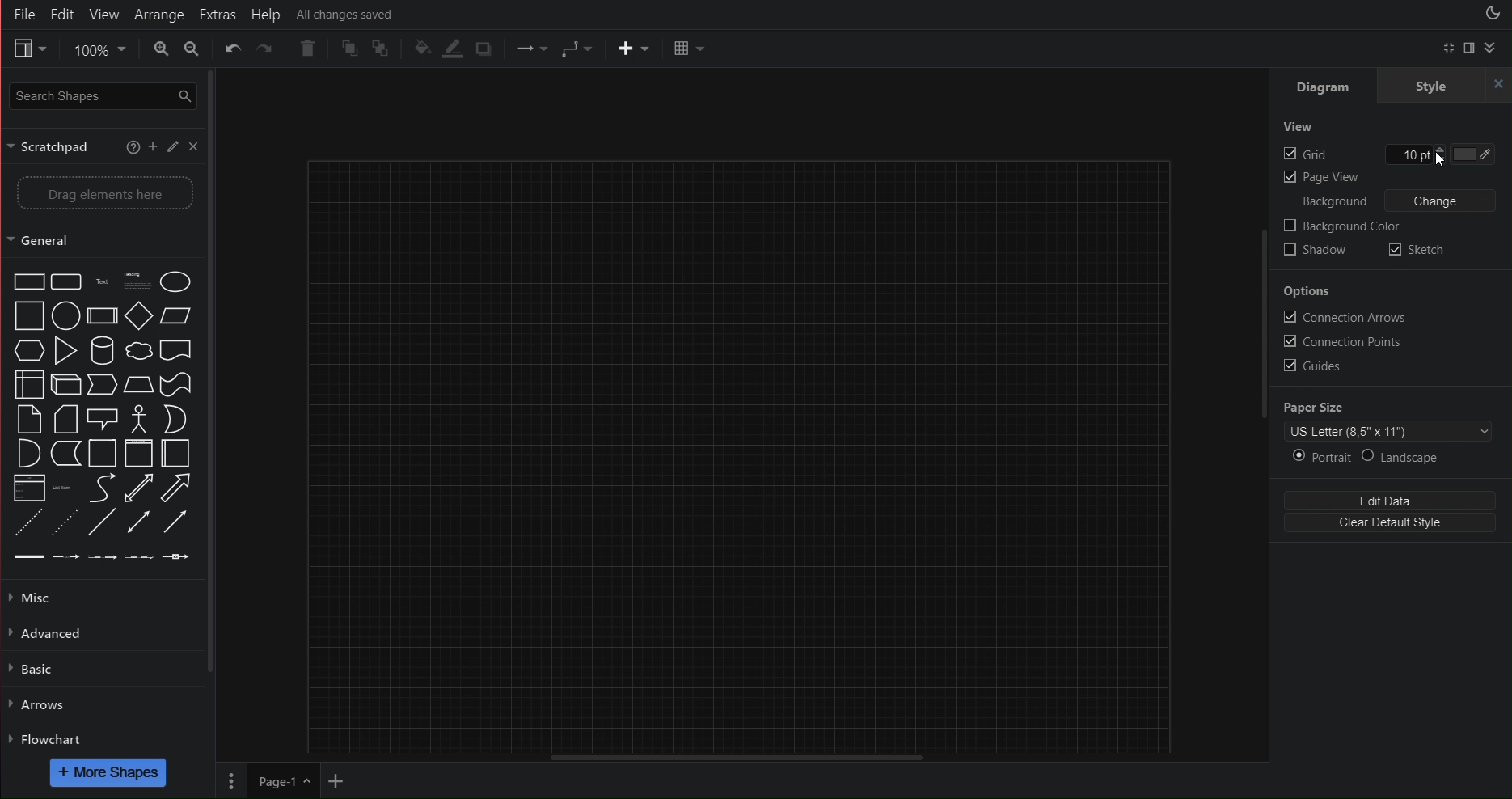 Image resolution: width=1512 pixels, height=799 pixels. I want to click on Edit, so click(65, 14).